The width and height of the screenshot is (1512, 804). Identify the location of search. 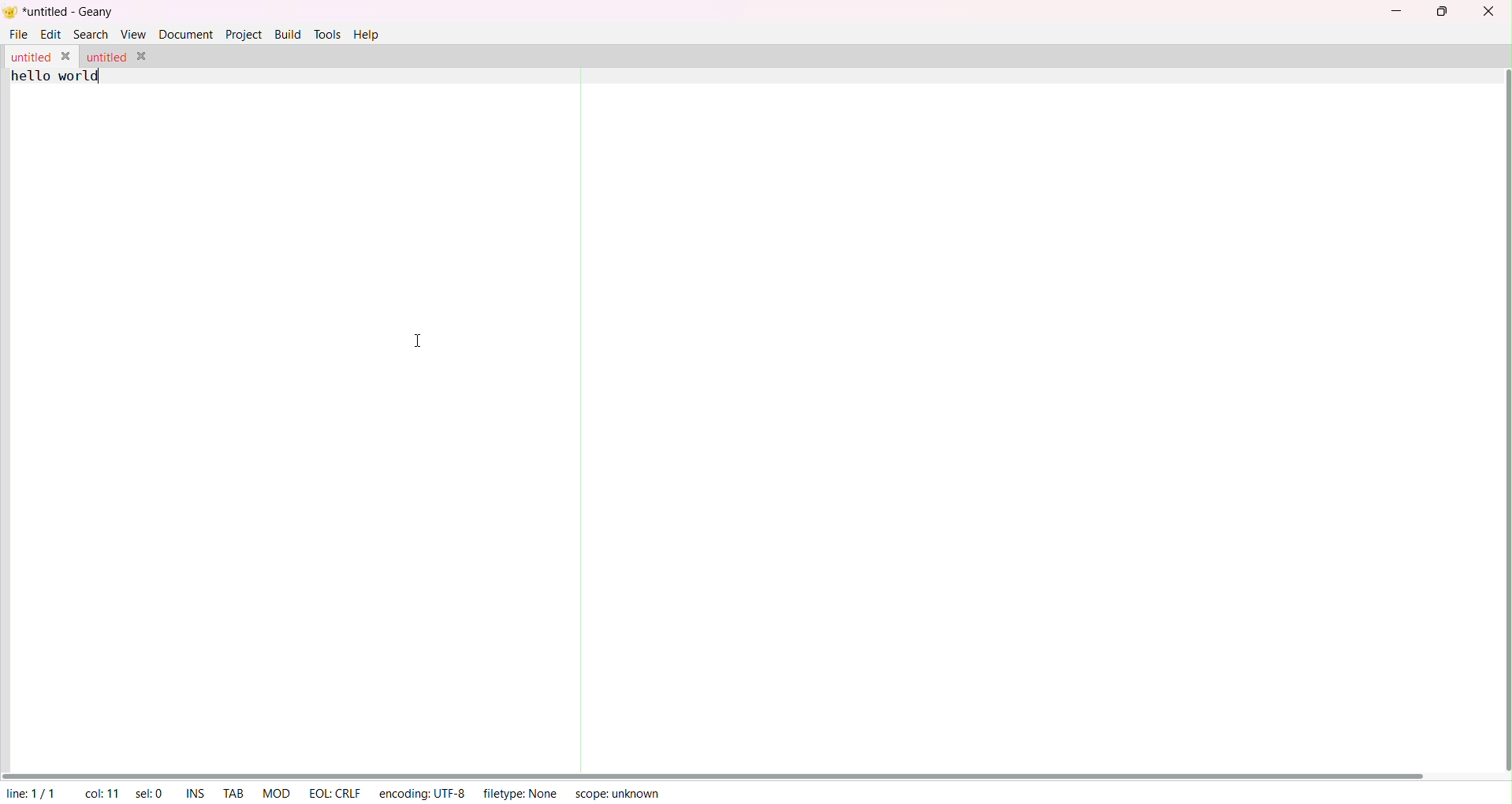
(91, 35).